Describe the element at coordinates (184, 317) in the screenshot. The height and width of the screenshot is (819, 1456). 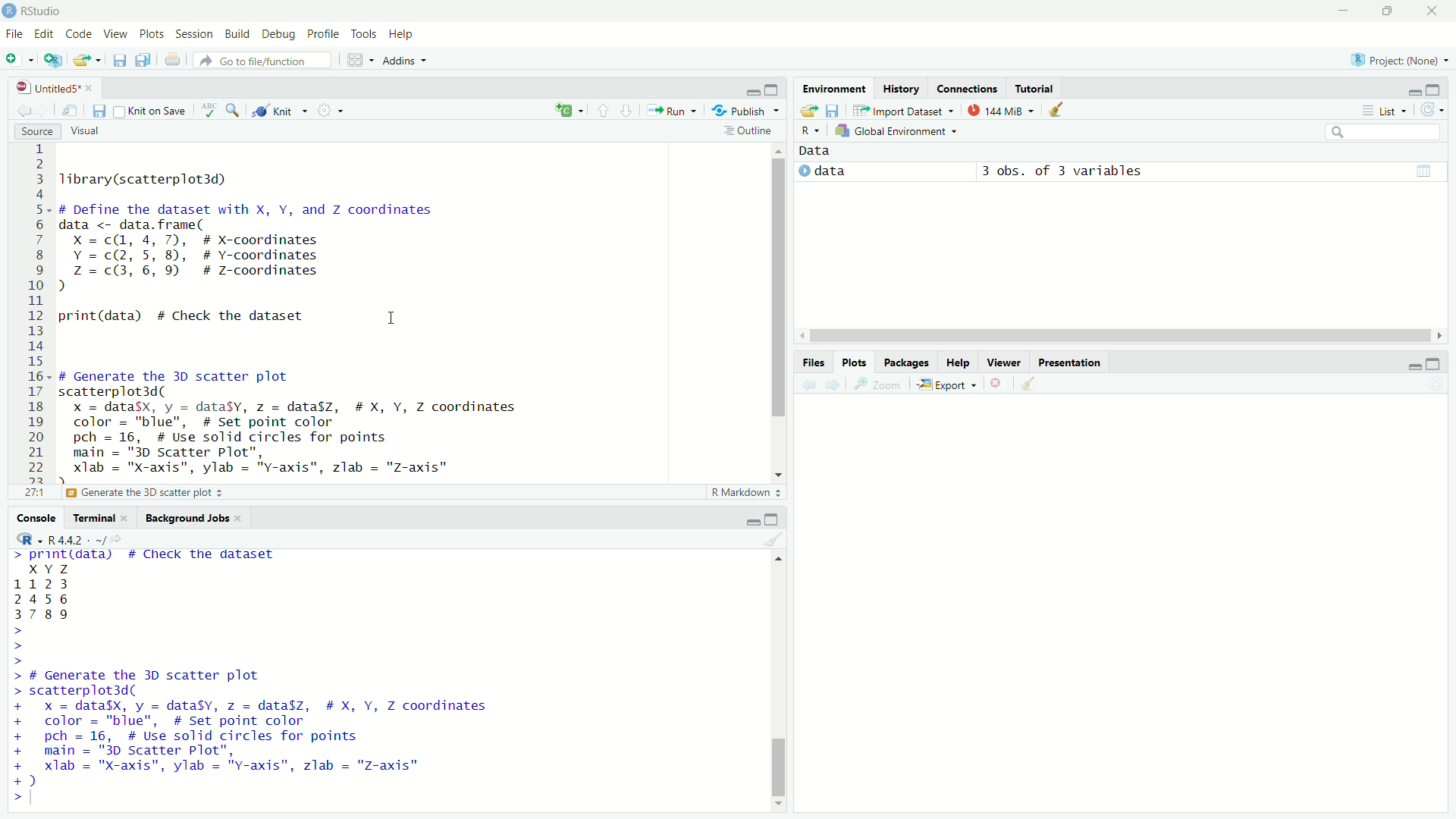
I see `orint(data) # Check the dataset` at that location.